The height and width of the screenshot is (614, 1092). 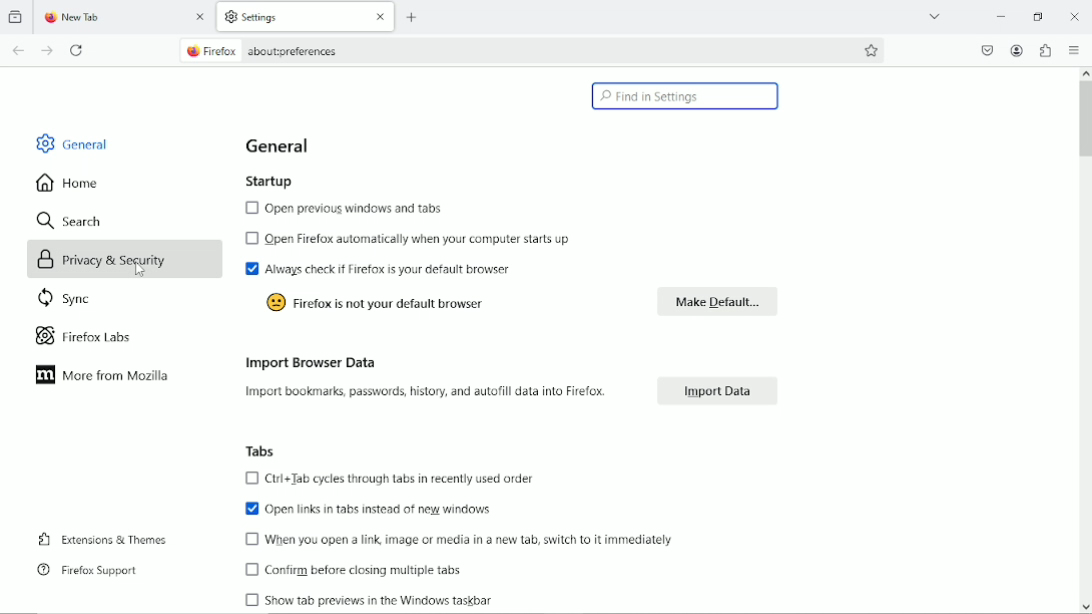 What do you see at coordinates (251, 569) in the screenshot?
I see `checkbox` at bounding box center [251, 569].